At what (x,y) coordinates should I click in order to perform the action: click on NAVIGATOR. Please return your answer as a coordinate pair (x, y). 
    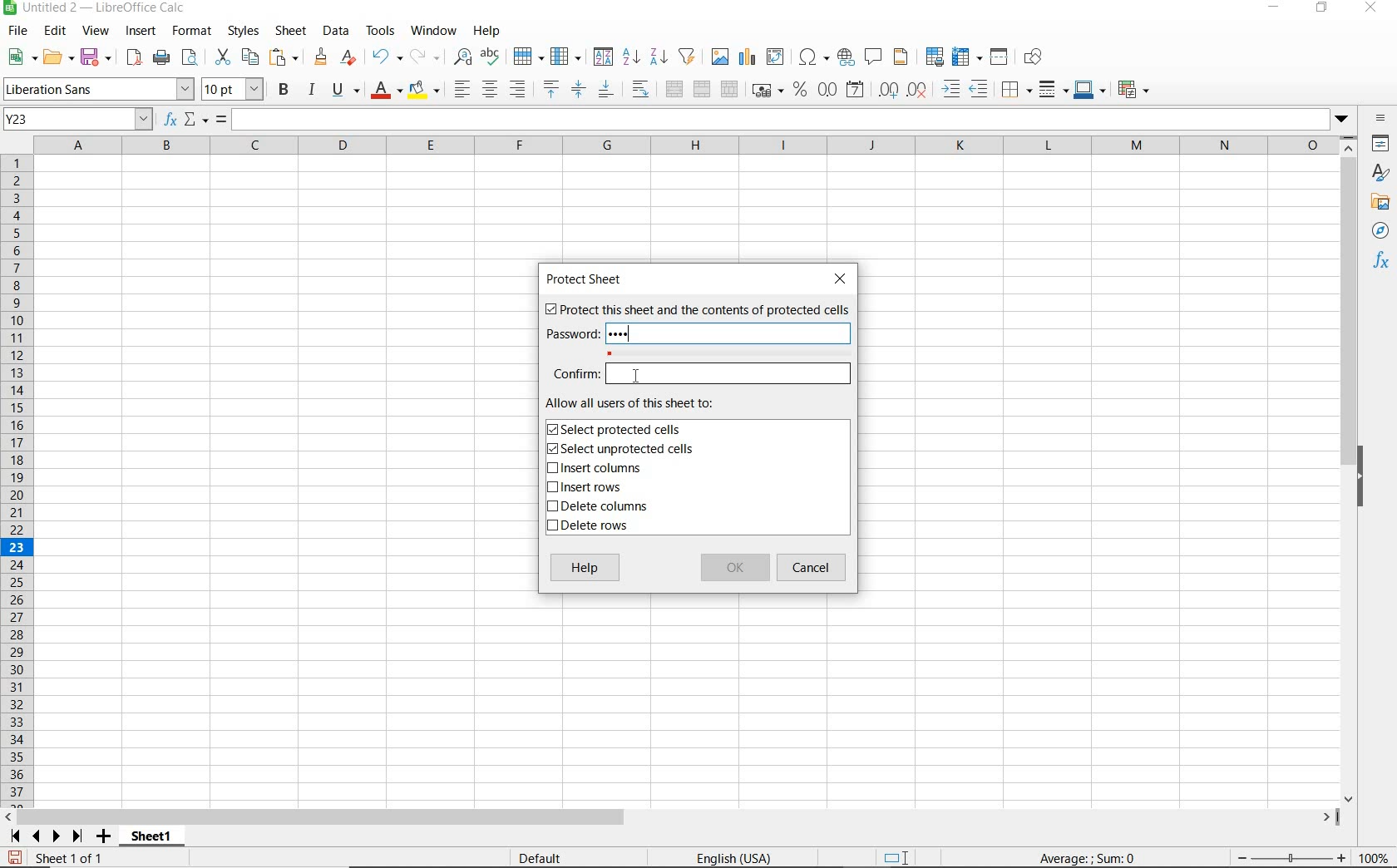
    Looking at the image, I should click on (1380, 232).